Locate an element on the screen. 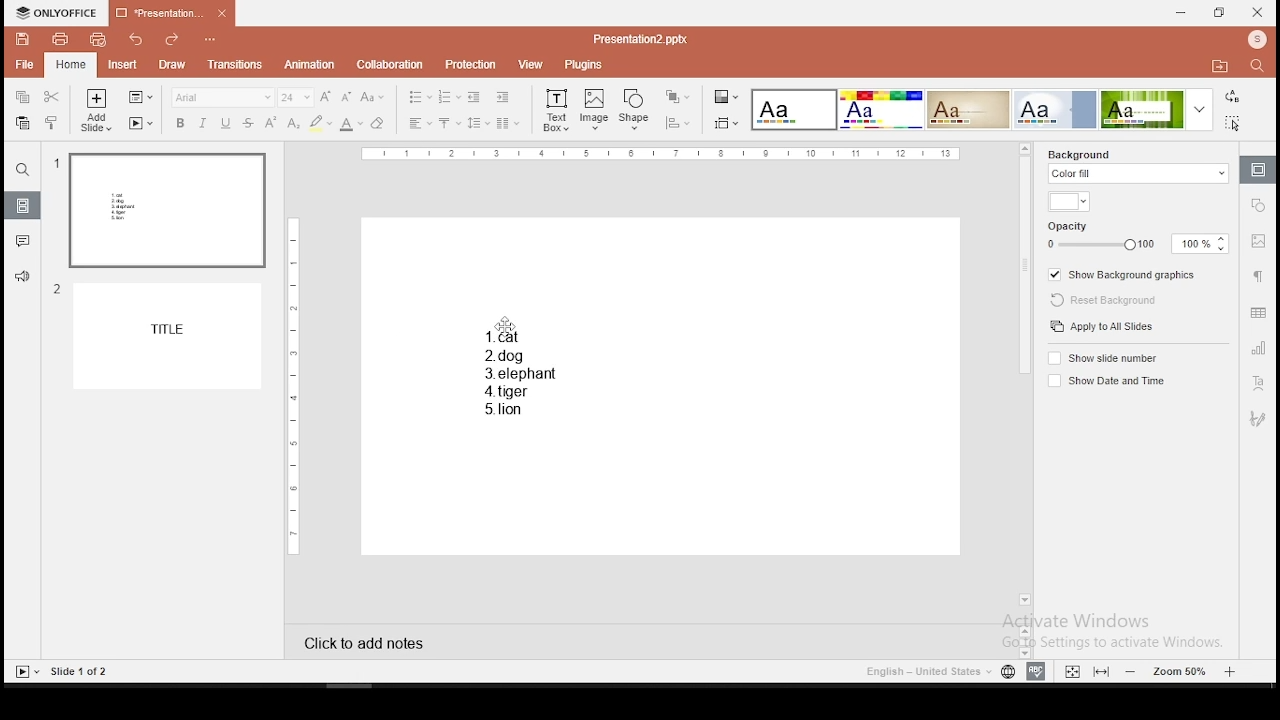 This screenshot has height=720, width=1280. animation is located at coordinates (311, 65).